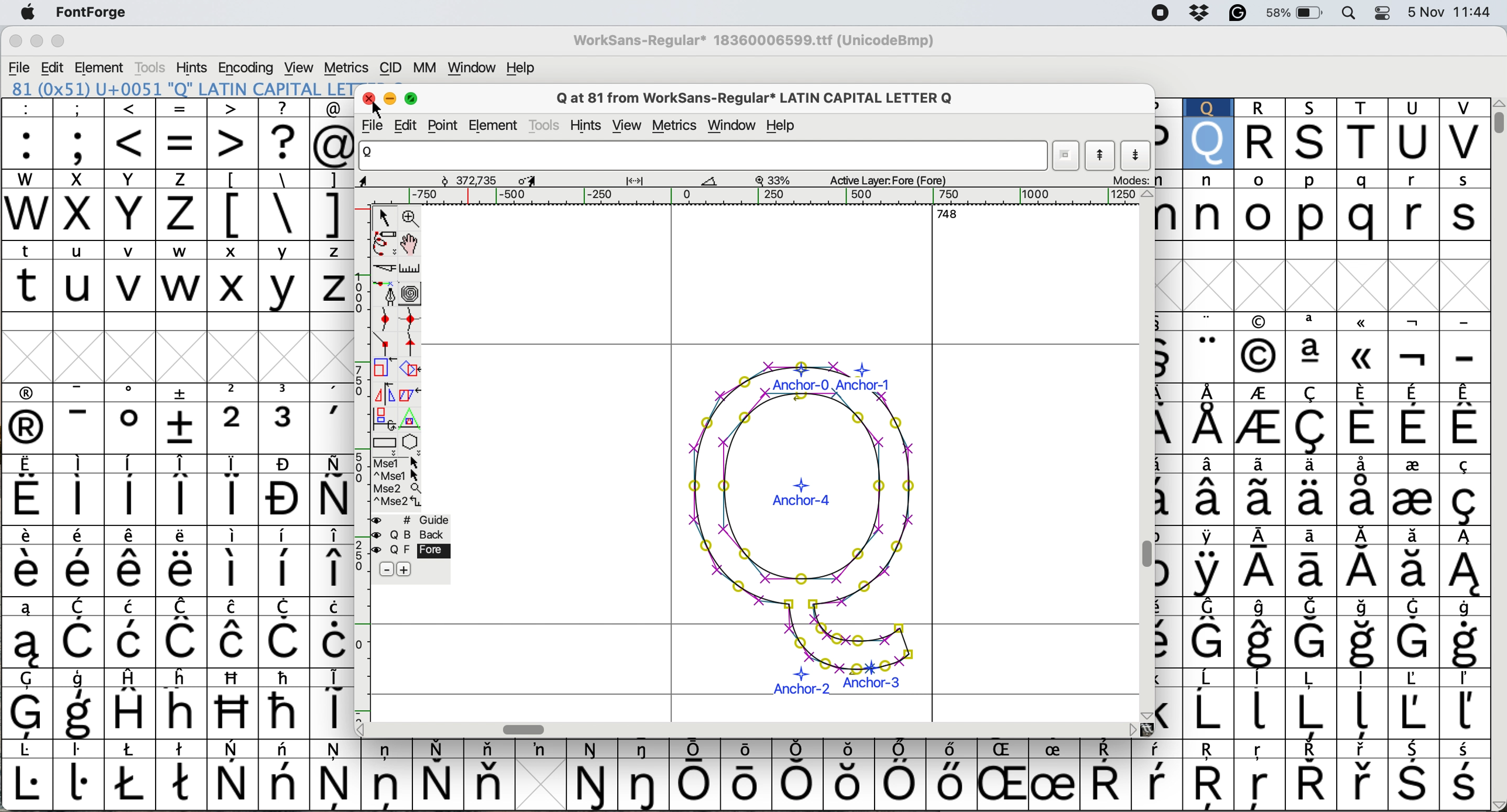 The image size is (1507, 812). What do you see at coordinates (356, 457) in the screenshot?
I see `vertical scale` at bounding box center [356, 457].